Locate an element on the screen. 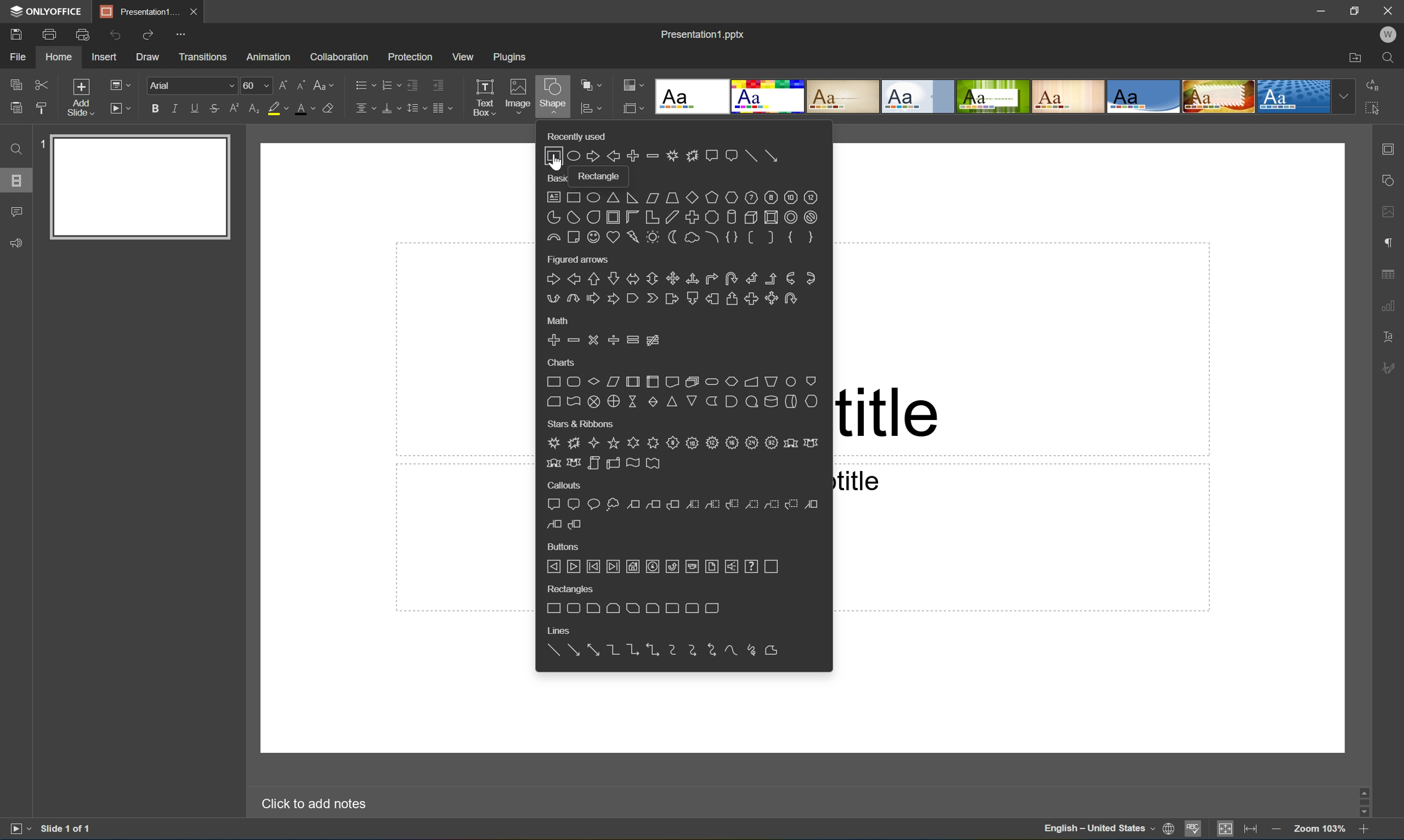  Find is located at coordinates (14, 149).